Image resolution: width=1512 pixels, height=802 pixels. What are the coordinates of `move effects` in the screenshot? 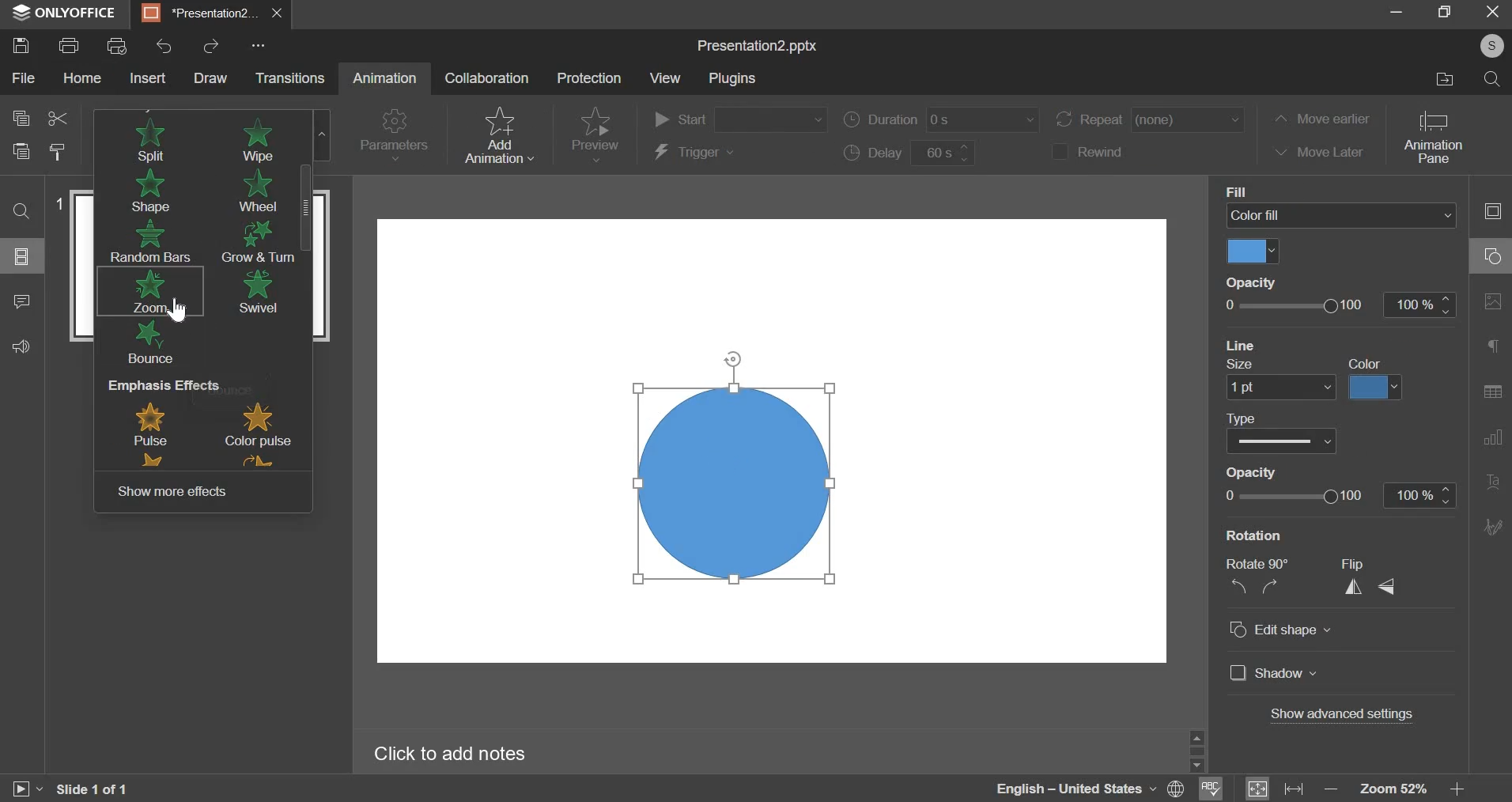 It's located at (172, 491).